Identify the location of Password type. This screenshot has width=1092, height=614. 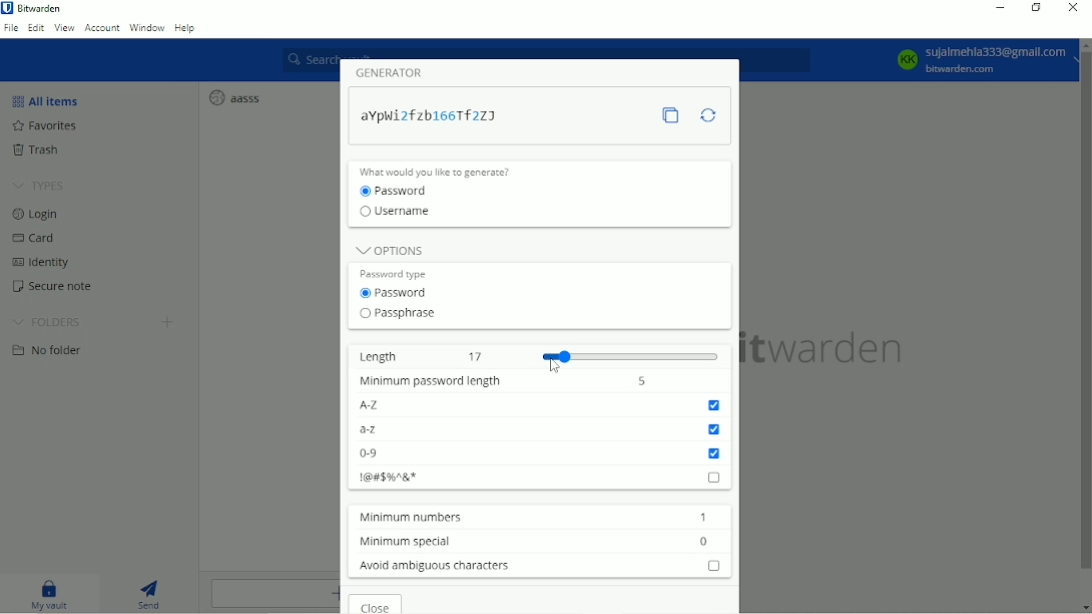
(399, 272).